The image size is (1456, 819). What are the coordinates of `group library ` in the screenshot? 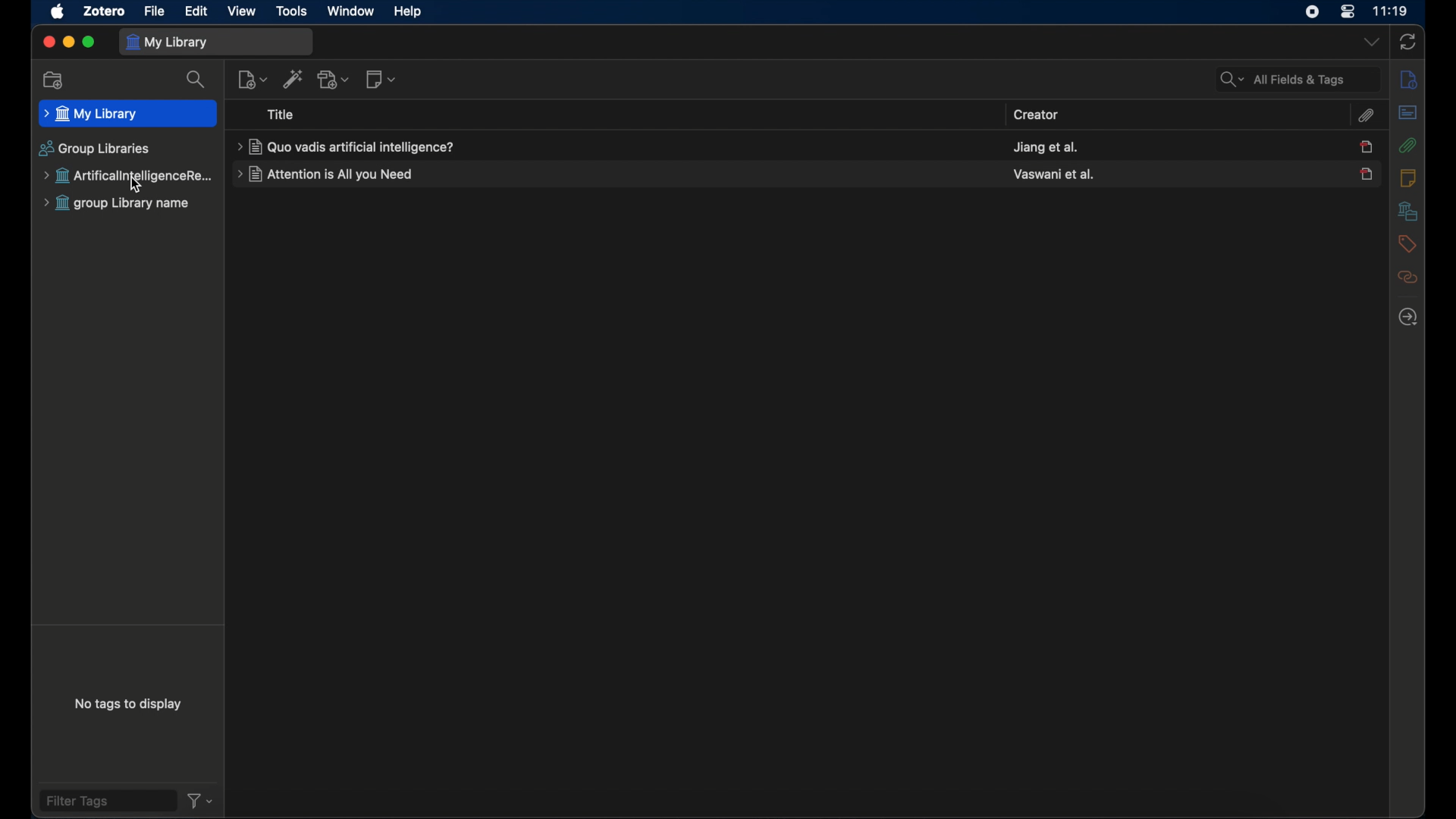 It's located at (118, 204).